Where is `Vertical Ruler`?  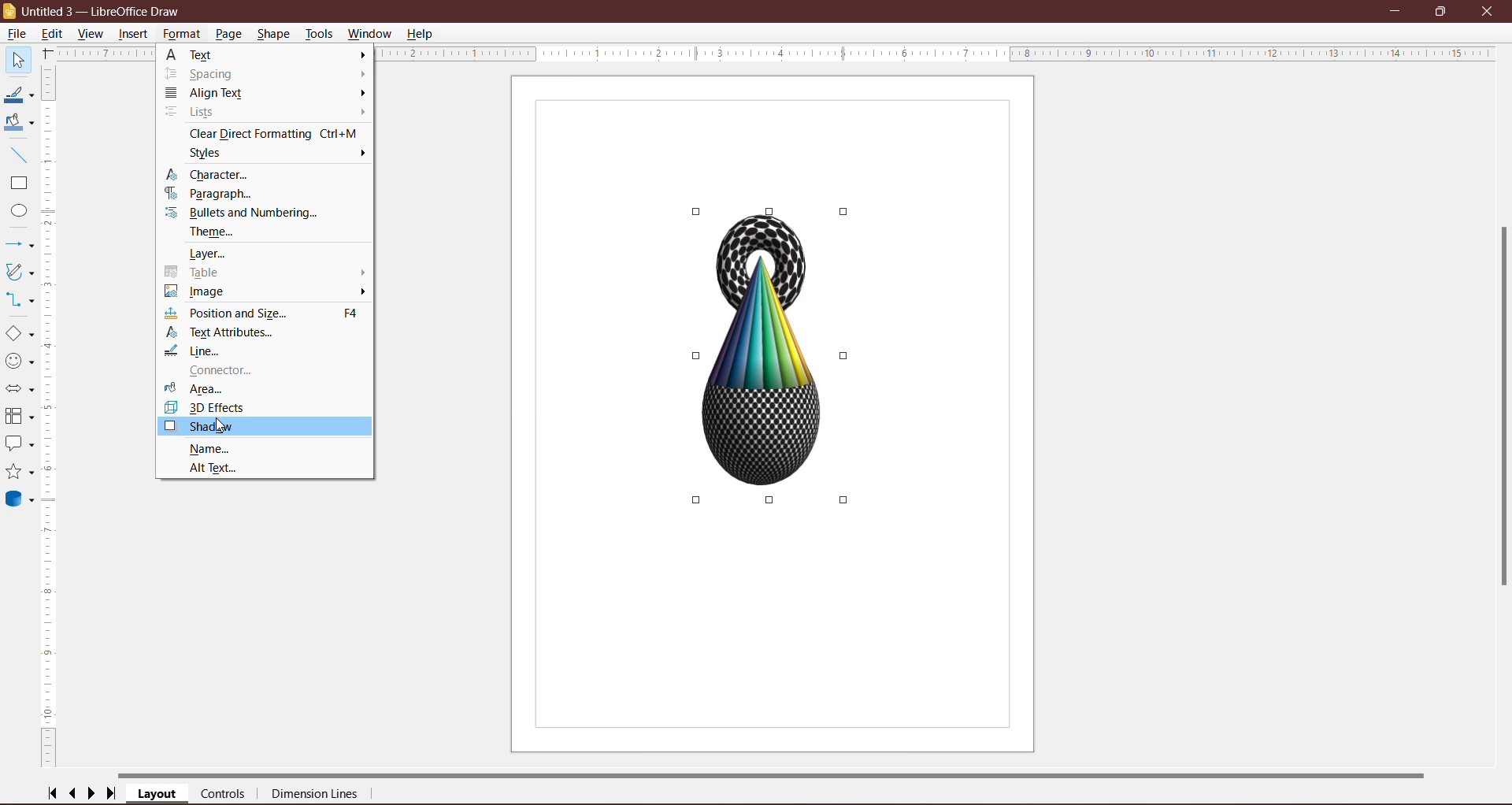
Vertical Ruler is located at coordinates (50, 418).